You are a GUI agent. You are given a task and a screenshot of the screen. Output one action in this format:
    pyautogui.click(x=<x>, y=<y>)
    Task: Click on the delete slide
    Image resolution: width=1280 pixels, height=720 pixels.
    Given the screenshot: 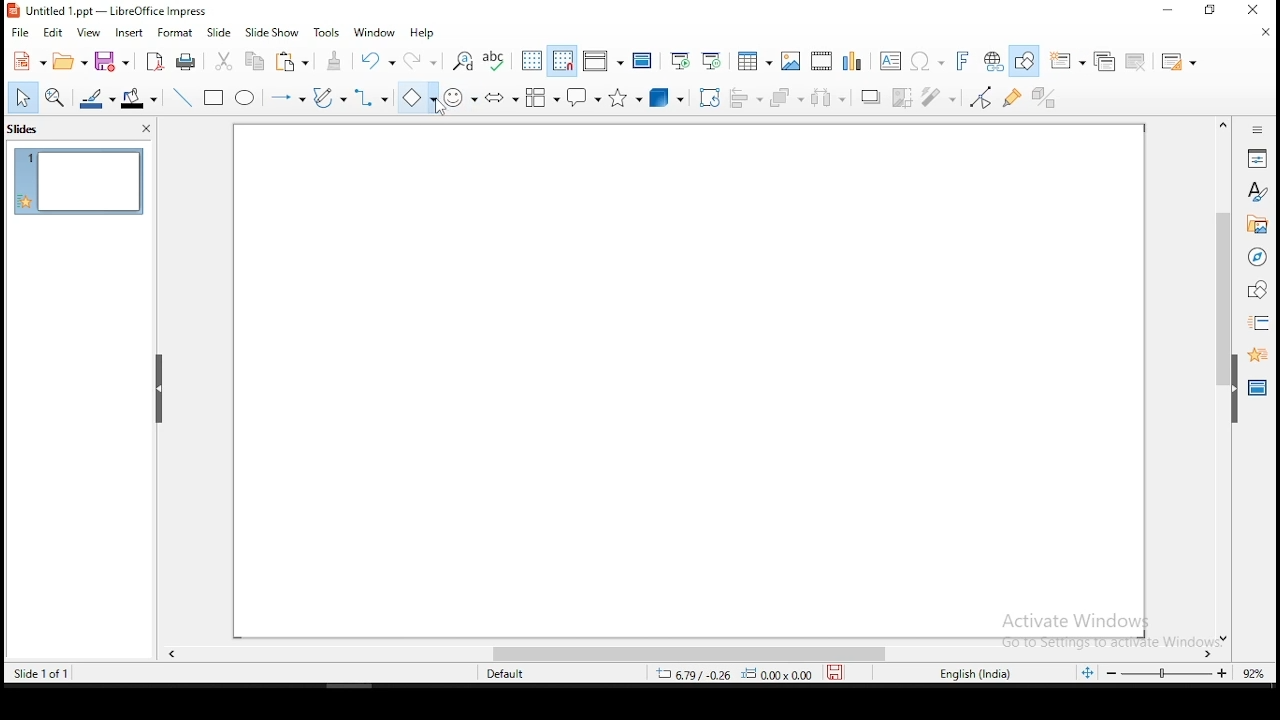 What is the action you would take?
    pyautogui.click(x=1135, y=60)
    